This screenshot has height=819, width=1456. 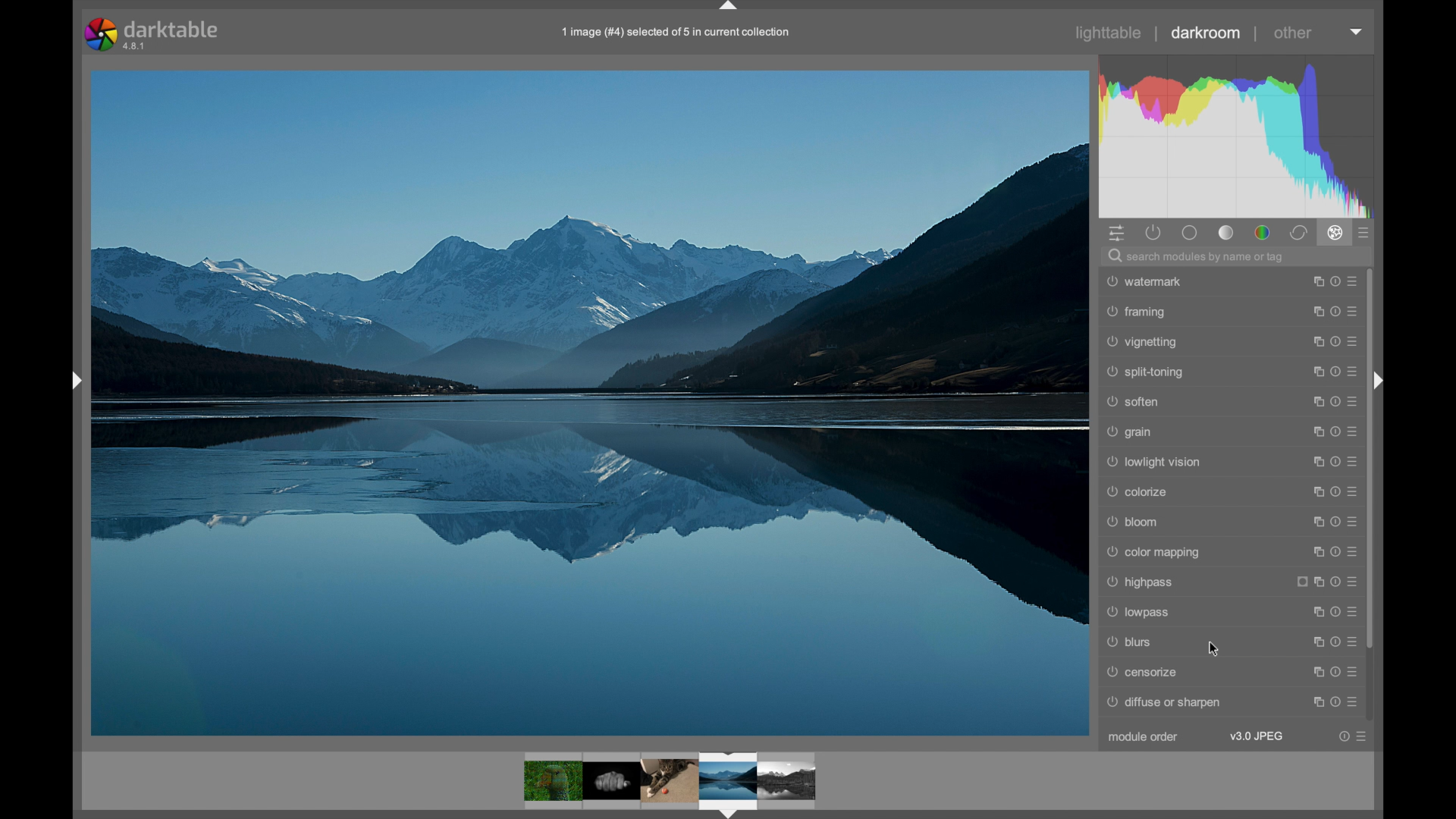 What do you see at coordinates (1134, 522) in the screenshot?
I see `bloom` at bounding box center [1134, 522].